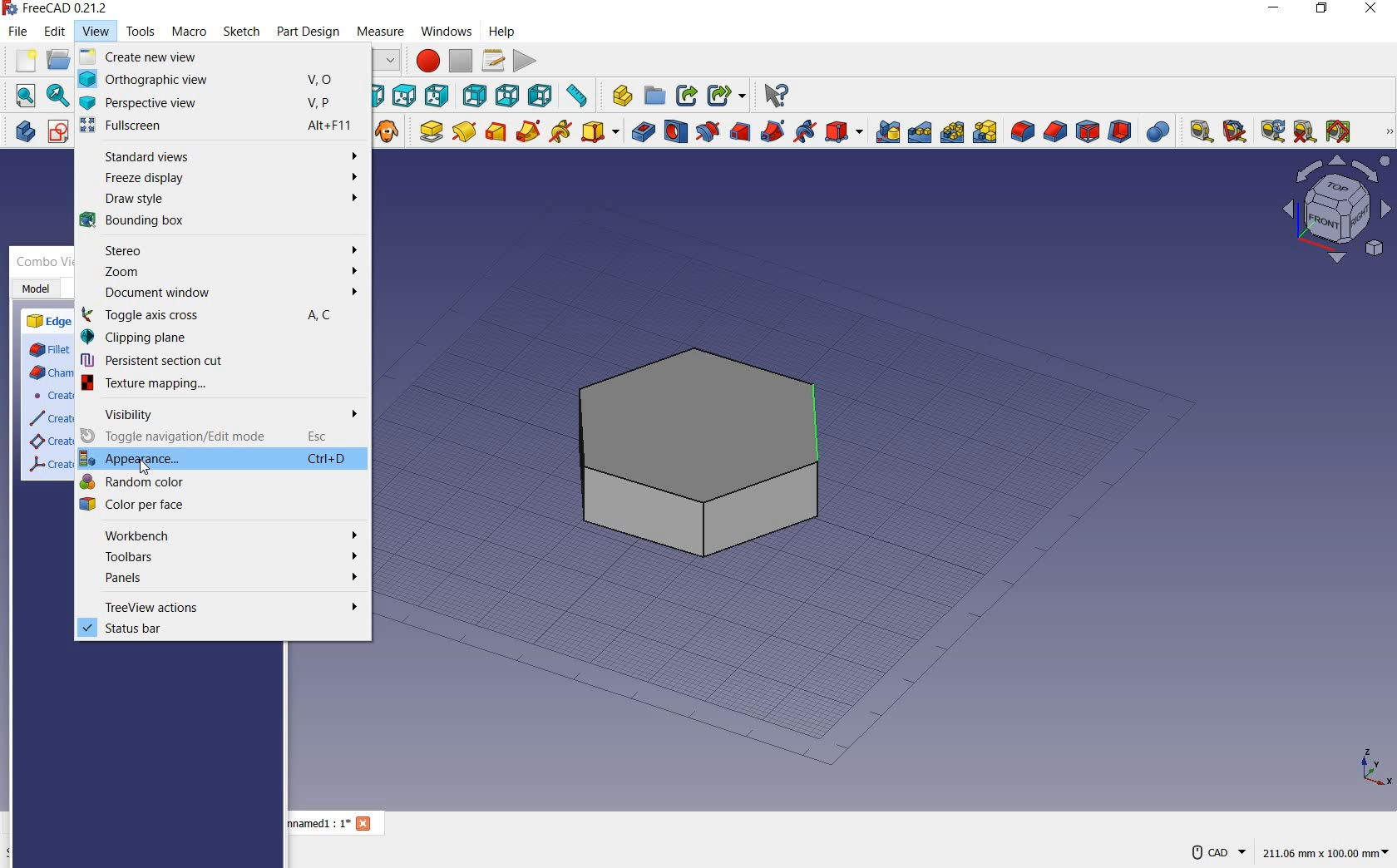  I want to click on shape (object), so click(691, 451).